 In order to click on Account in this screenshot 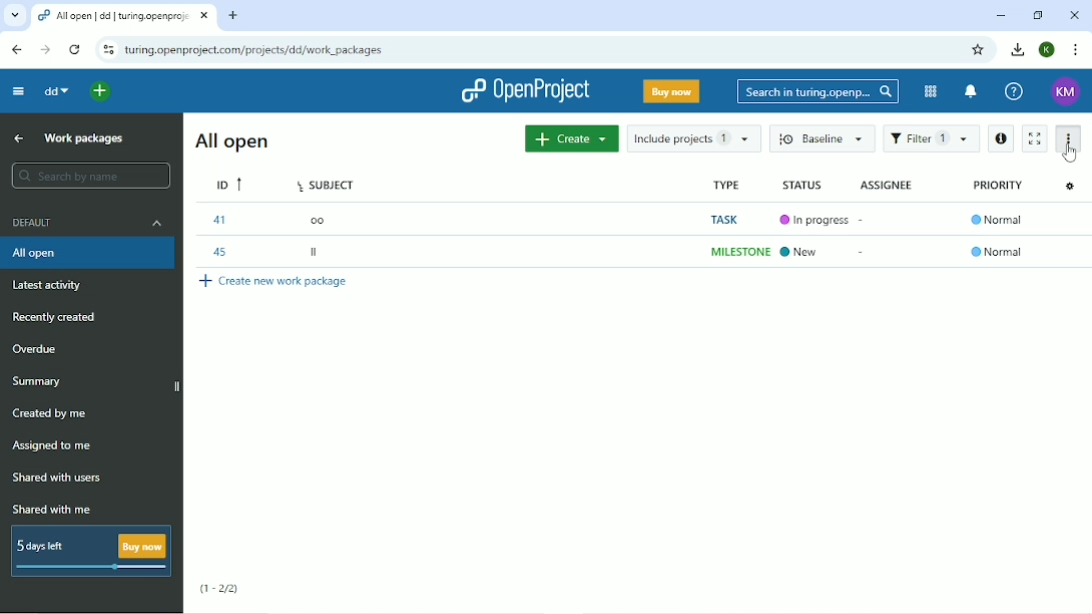, I will do `click(1048, 49)`.